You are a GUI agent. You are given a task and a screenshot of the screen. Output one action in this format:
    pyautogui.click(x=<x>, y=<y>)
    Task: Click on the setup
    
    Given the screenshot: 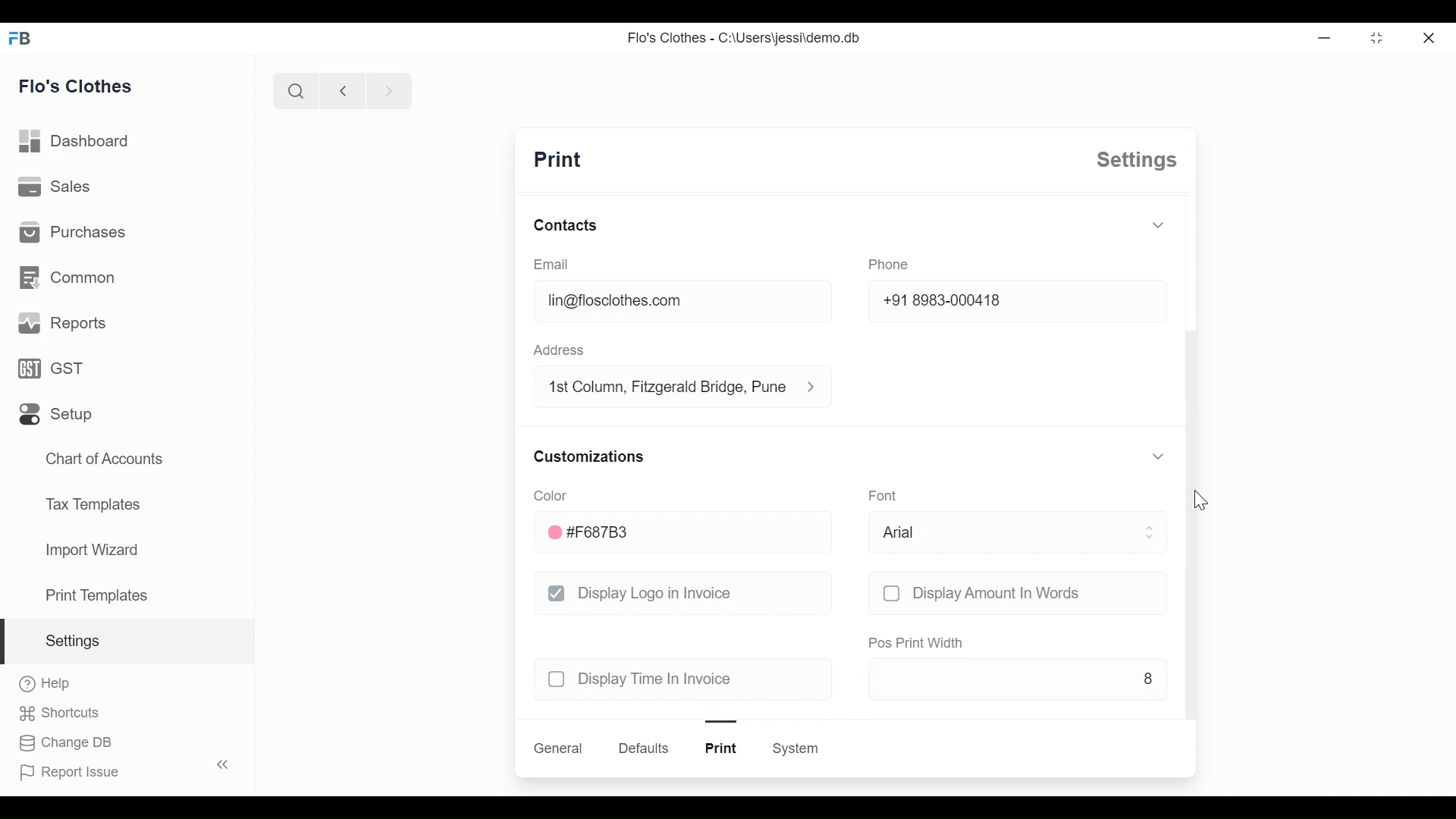 What is the action you would take?
    pyautogui.click(x=56, y=415)
    